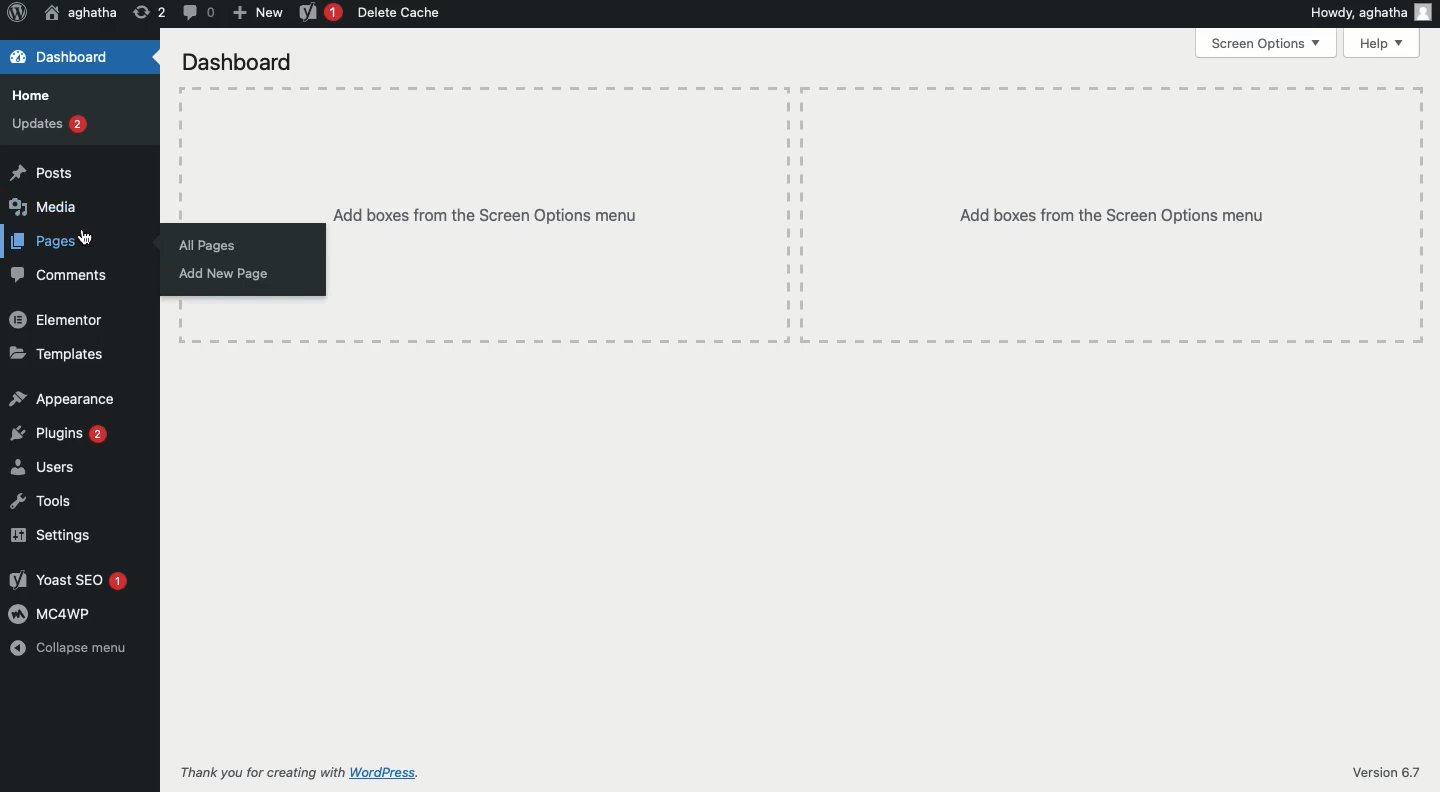  I want to click on Revision, so click(149, 14).